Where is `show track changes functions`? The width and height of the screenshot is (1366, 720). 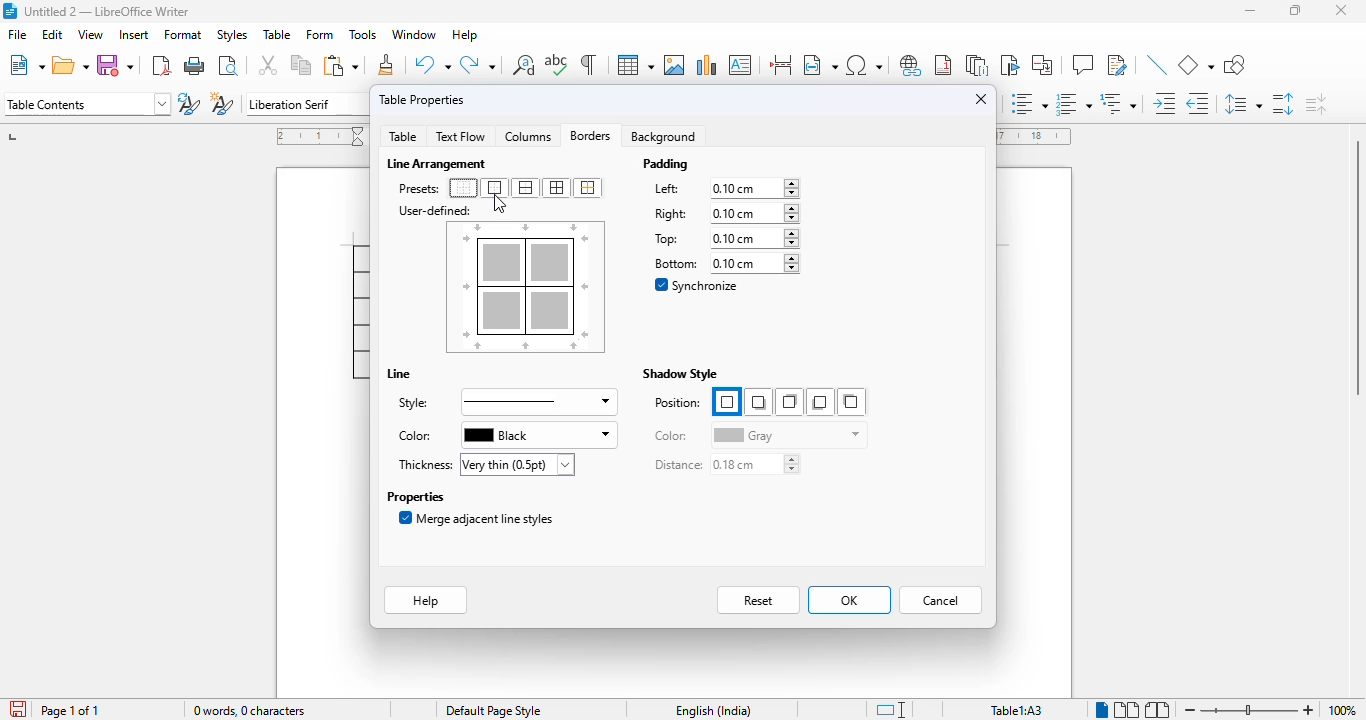 show track changes functions is located at coordinates (1118, 65).